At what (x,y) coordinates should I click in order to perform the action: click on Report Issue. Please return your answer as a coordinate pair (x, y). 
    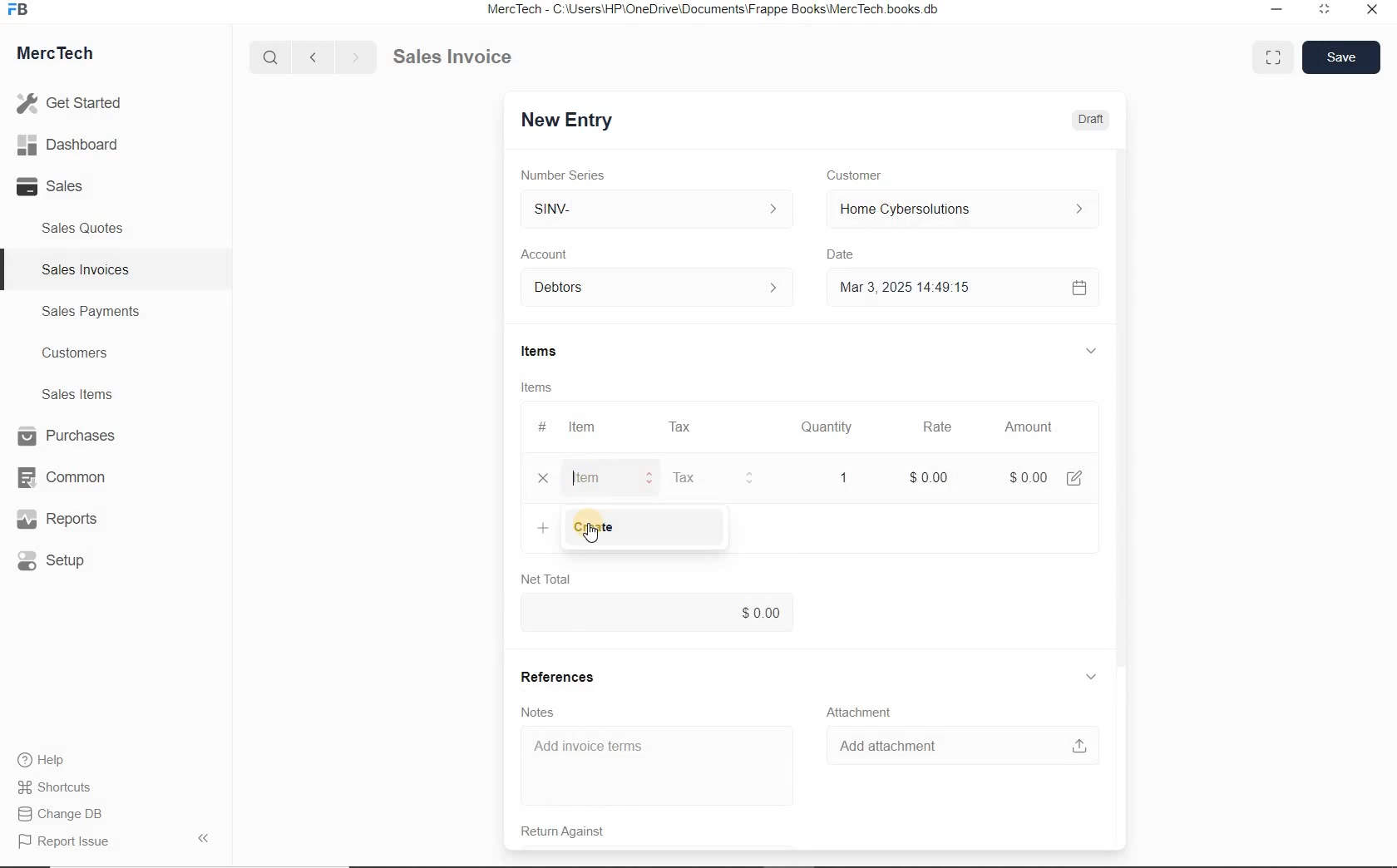
    Looking at the image, I should click on (67, 842).